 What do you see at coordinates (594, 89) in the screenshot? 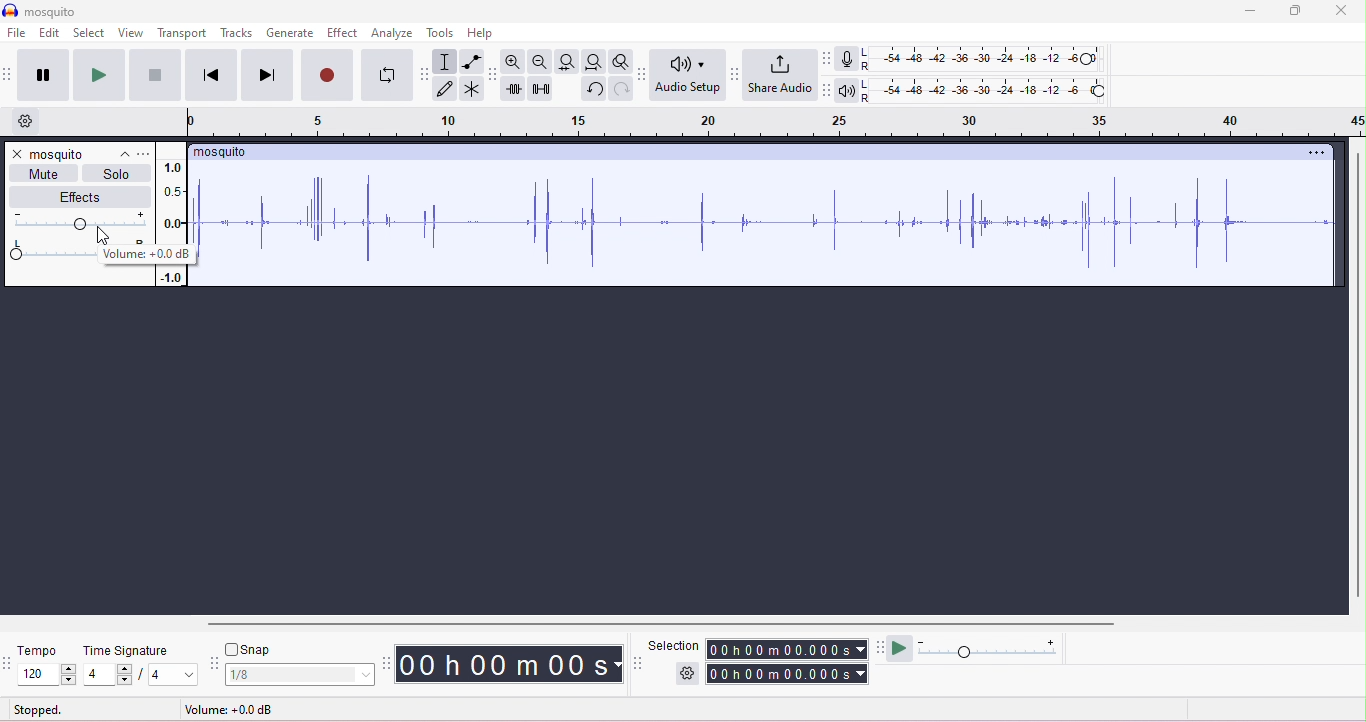
I see `undo` at bounding box center [594, 89].